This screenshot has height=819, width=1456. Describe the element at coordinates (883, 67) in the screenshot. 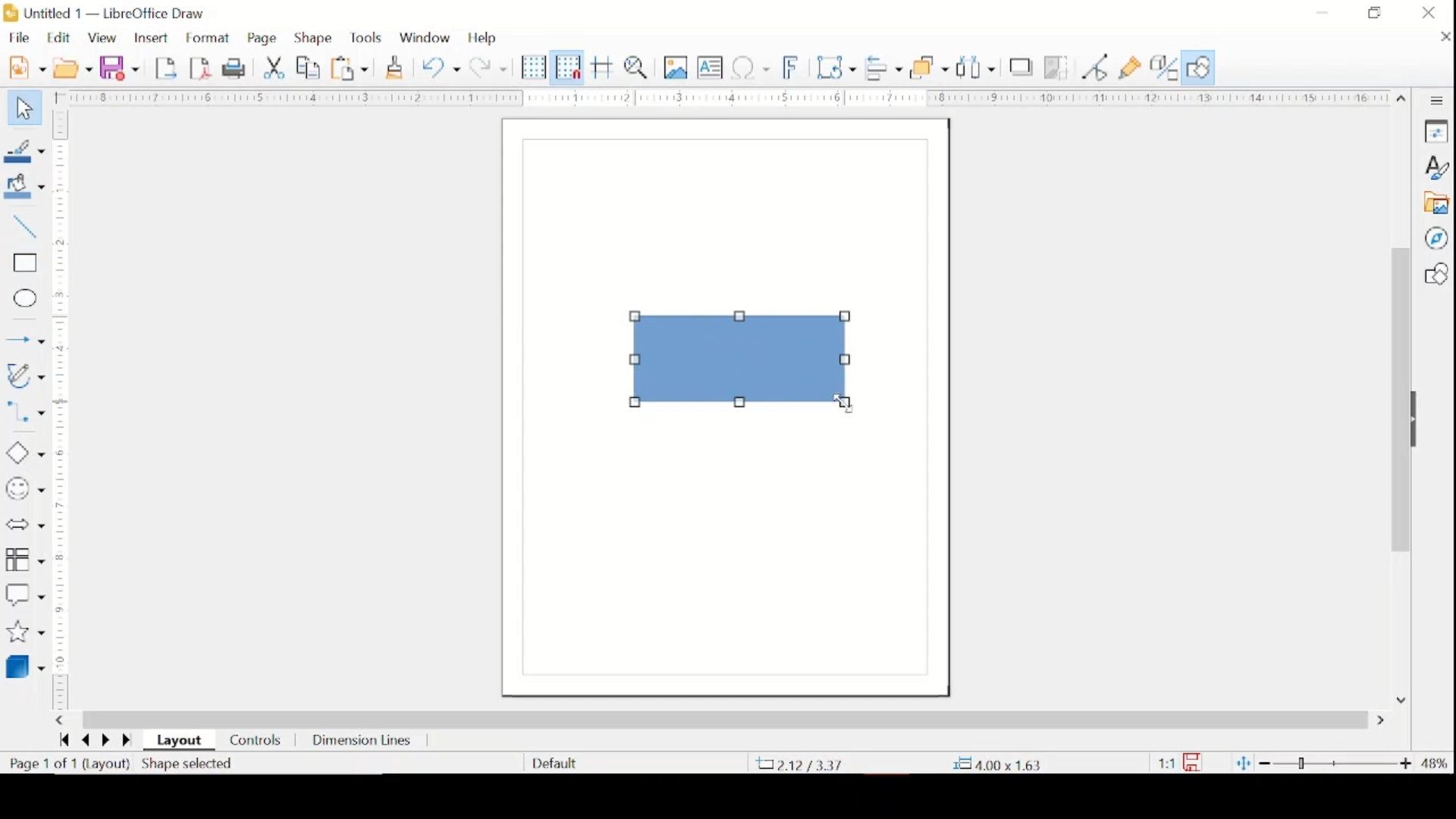

I see `align` at that location.